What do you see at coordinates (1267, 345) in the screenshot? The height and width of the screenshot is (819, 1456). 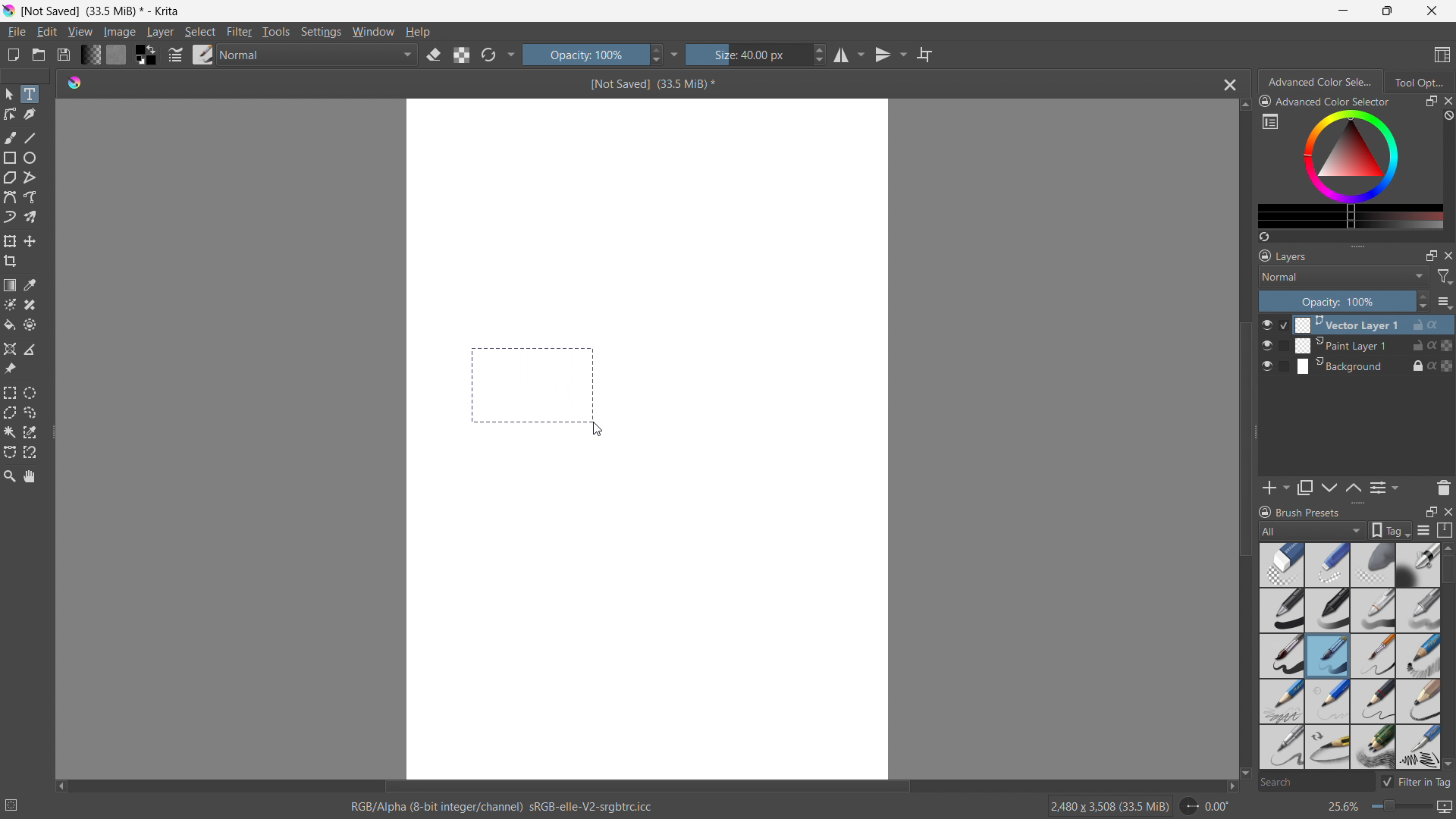 I see `layer visibility toggle` at bounding box center [1267, 345].